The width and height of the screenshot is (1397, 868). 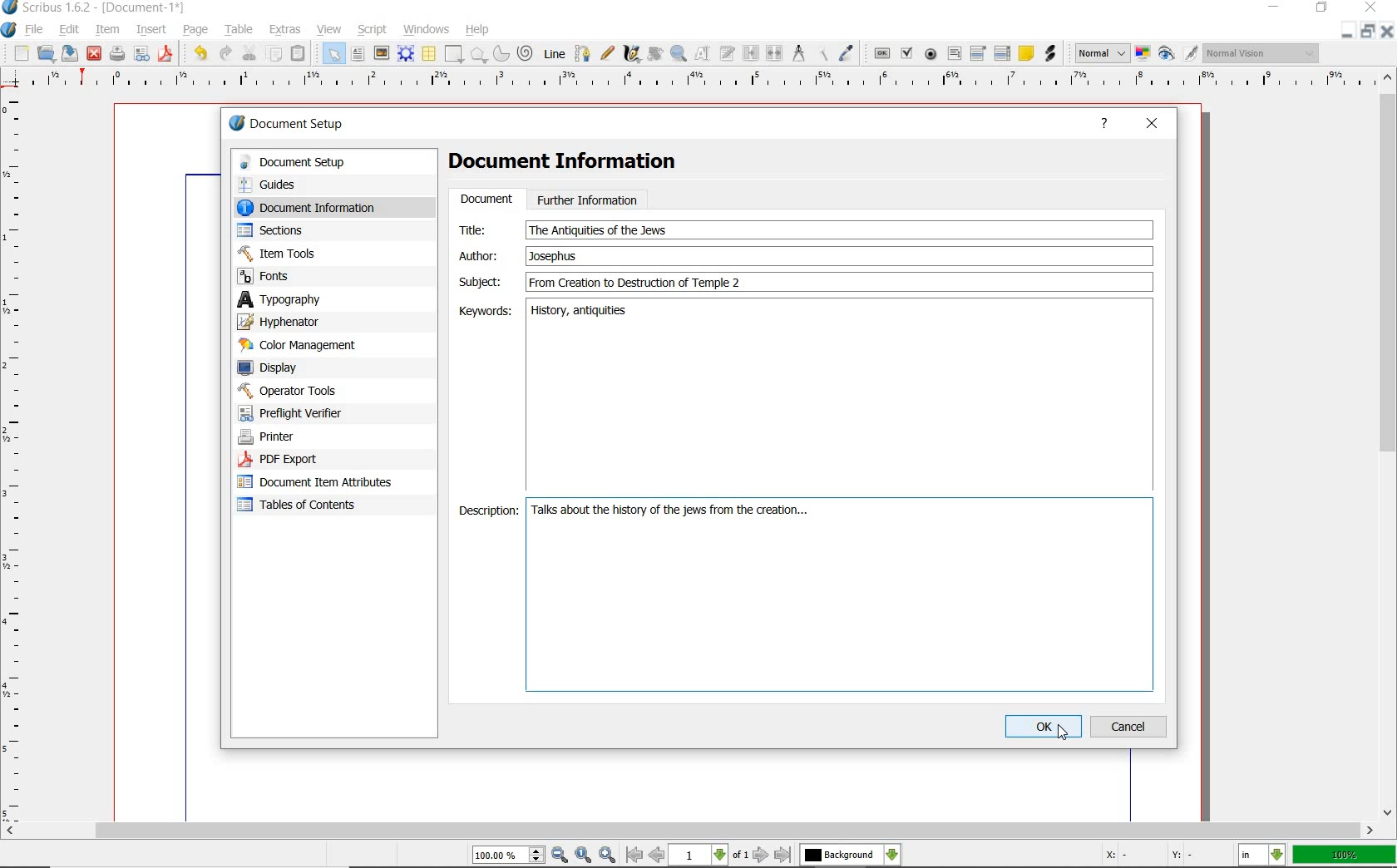 I want to click on page, so click(x=199, y=30).